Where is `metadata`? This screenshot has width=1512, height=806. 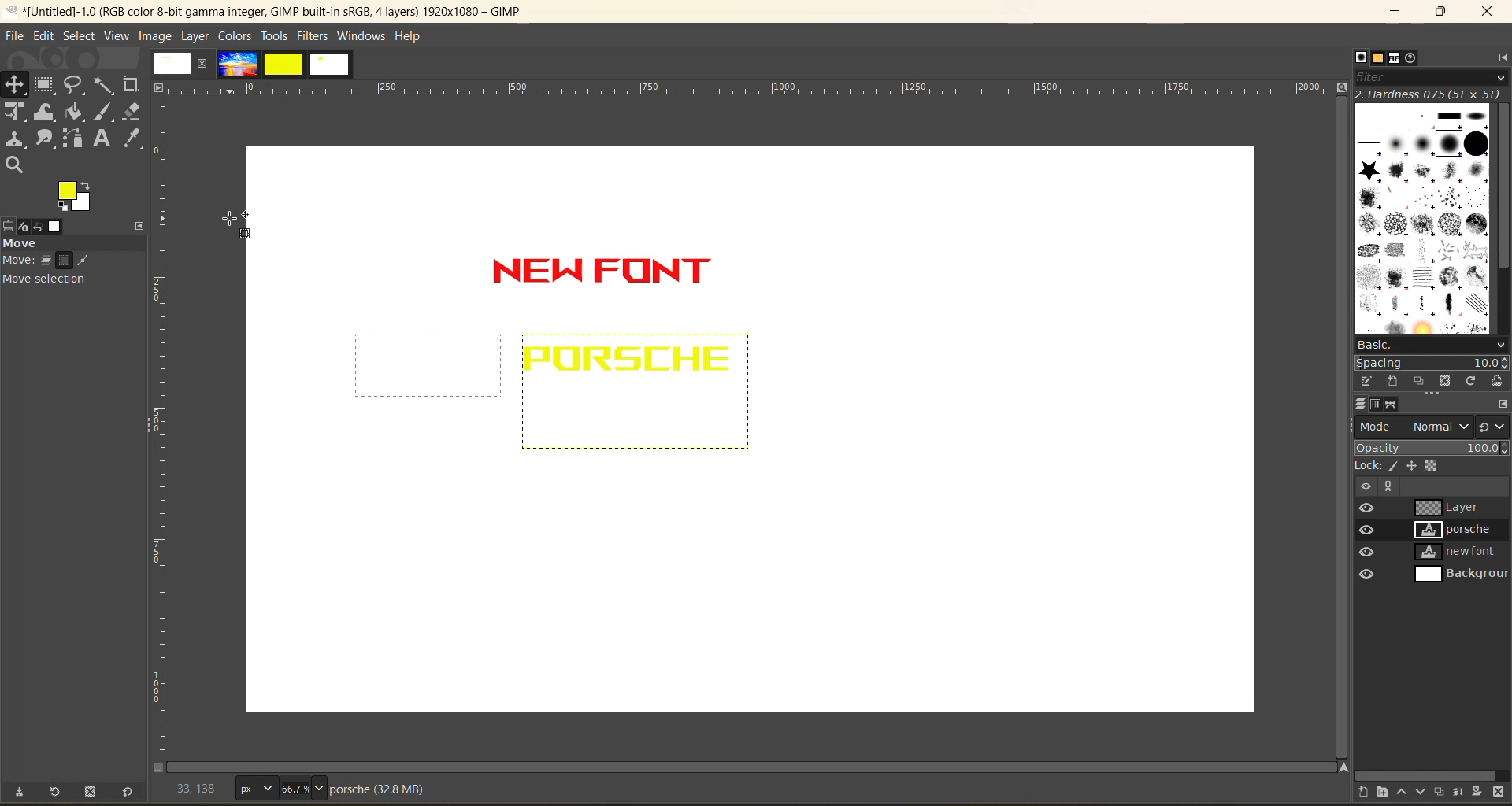 metadata is located at coordinates (378, 789).